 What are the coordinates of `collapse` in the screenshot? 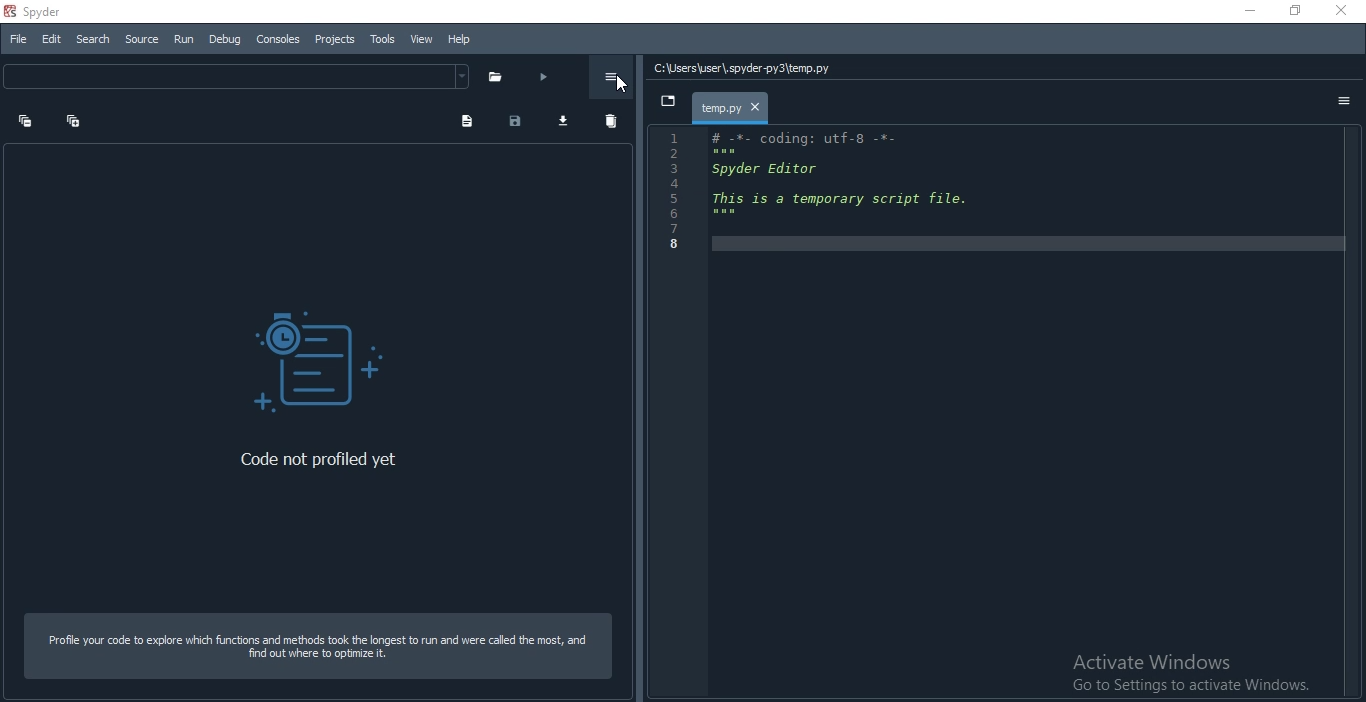 It's located at (79, 118).